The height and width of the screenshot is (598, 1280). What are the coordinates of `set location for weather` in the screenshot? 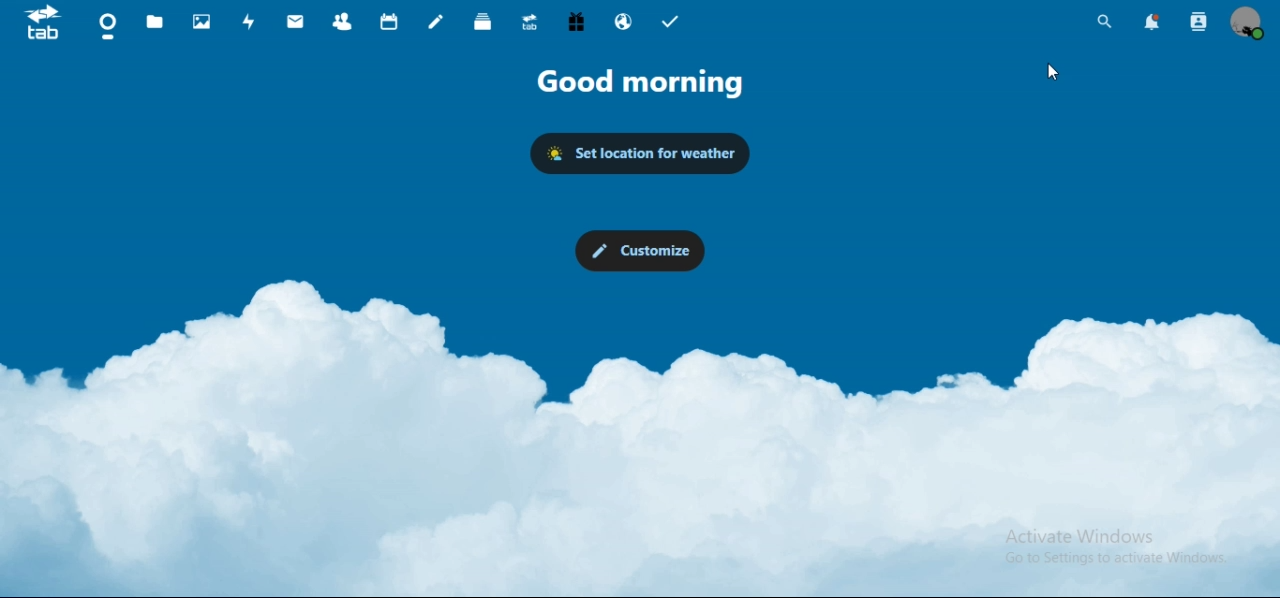 It's located at (642, 153).